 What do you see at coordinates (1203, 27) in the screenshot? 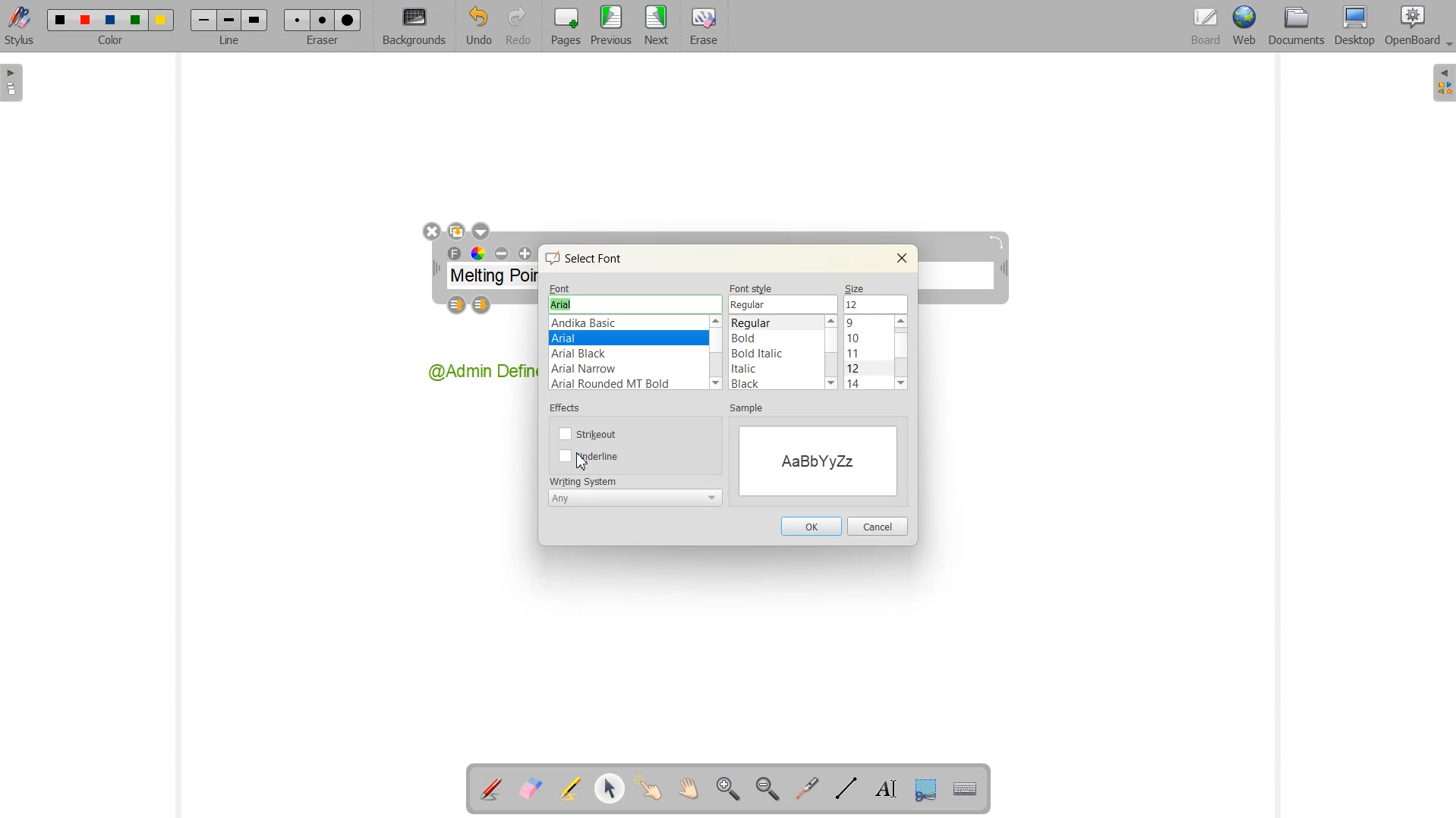
I see `Board` at bounding box center [1203, 27].